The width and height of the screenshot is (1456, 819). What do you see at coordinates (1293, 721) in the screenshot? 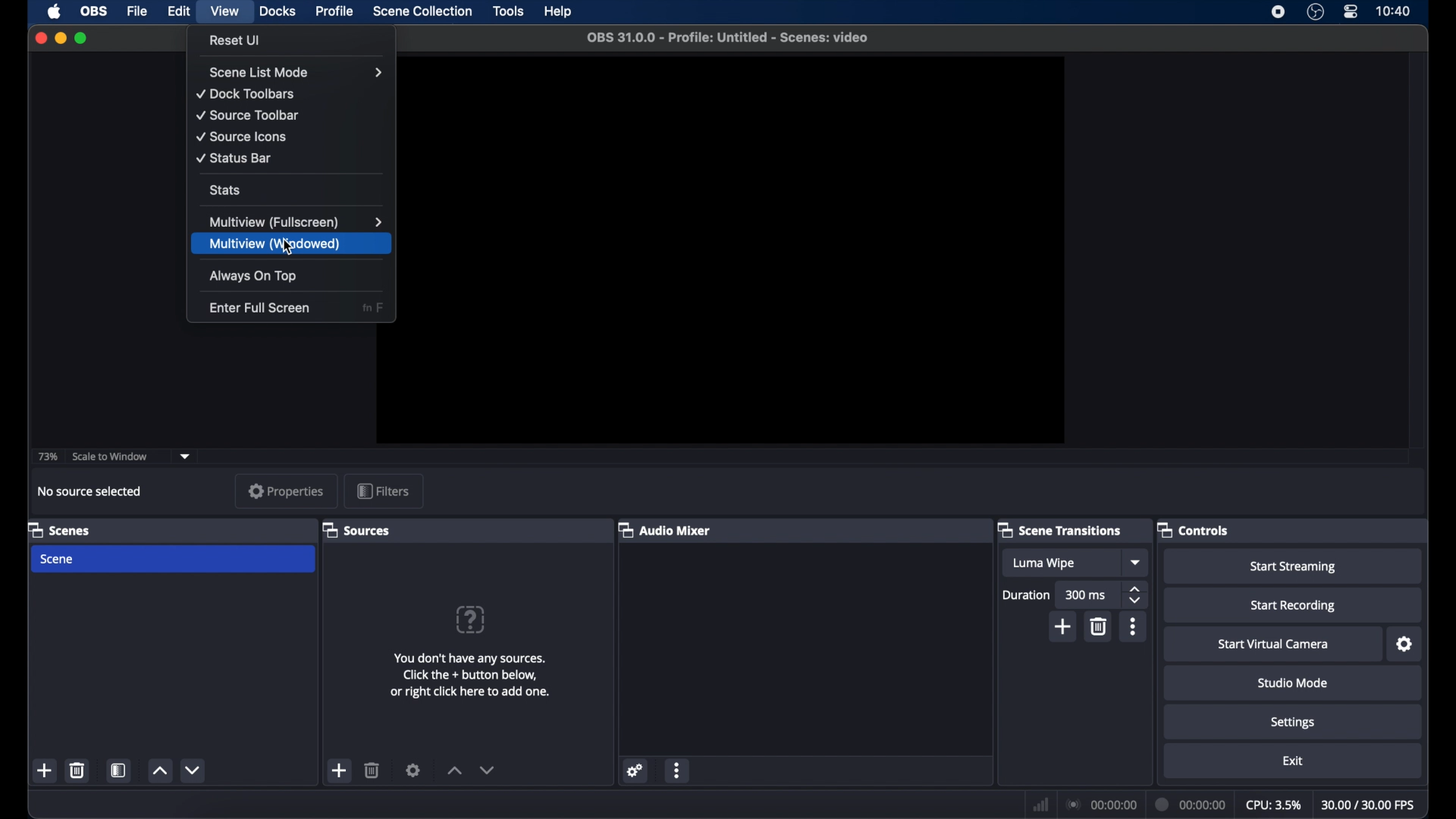
I see `settings` at bounding box center [1293, 721].